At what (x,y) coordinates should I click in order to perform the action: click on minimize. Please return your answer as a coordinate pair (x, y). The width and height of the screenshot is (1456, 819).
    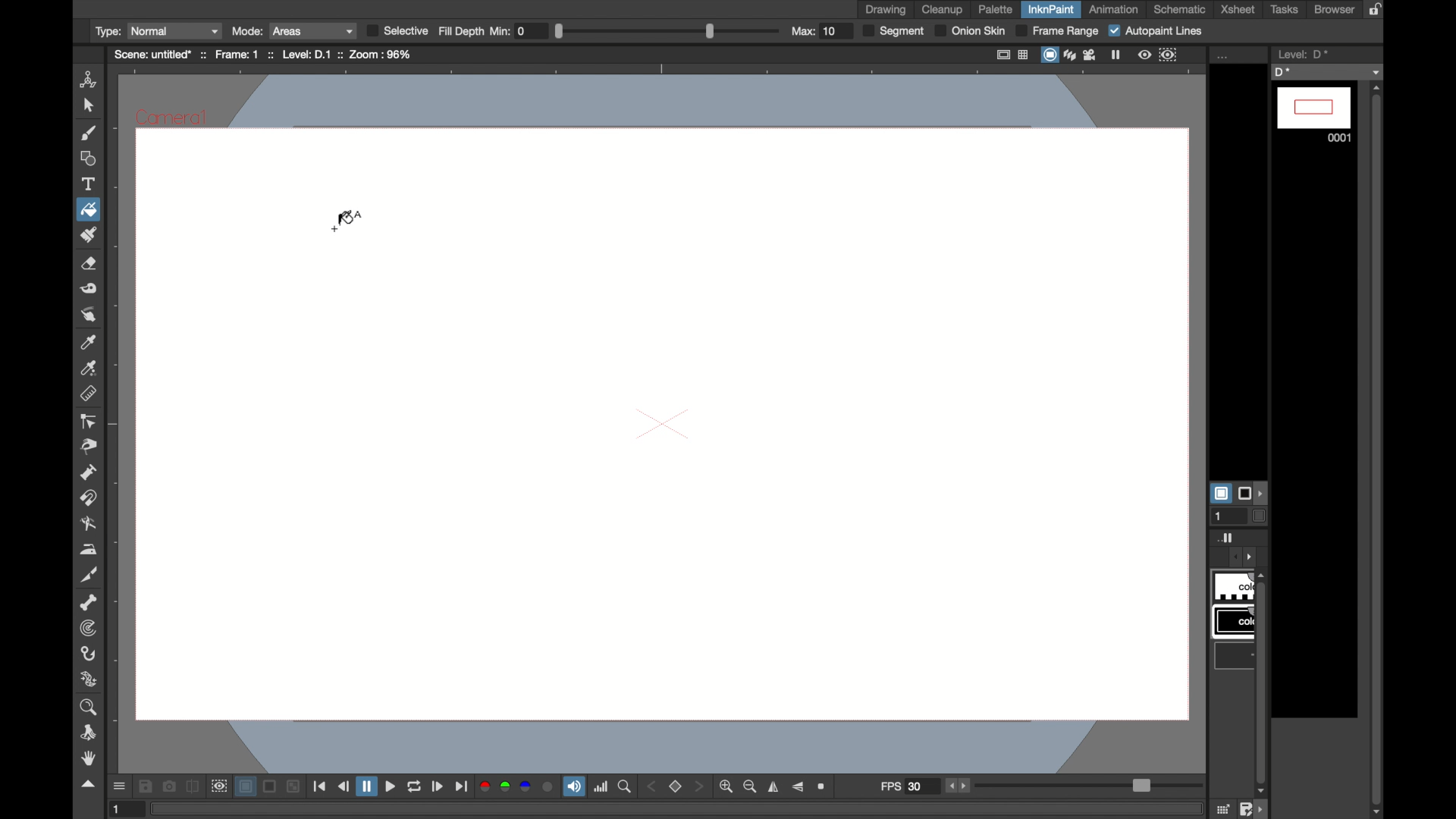
    Looking at the image, I should click on (295, 786).